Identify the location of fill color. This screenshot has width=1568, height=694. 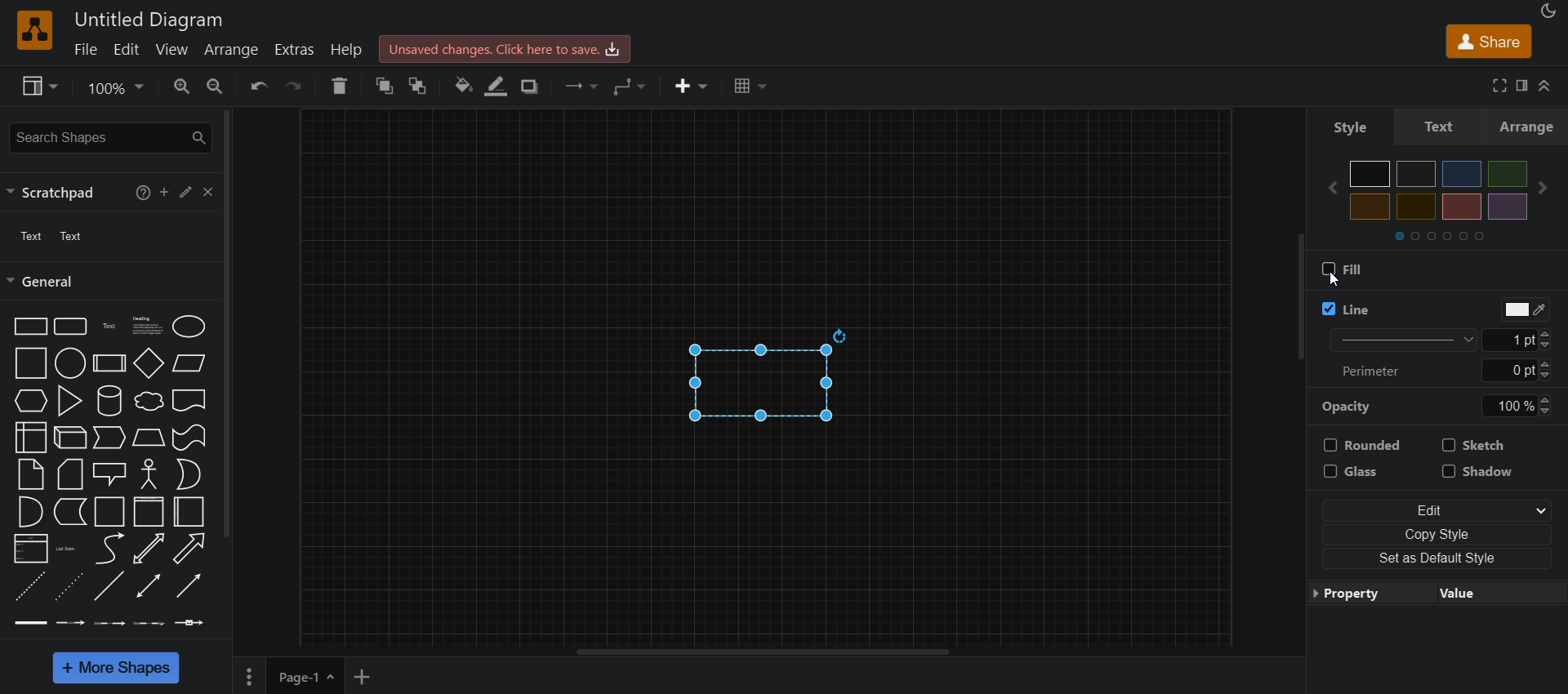
(462, 87).